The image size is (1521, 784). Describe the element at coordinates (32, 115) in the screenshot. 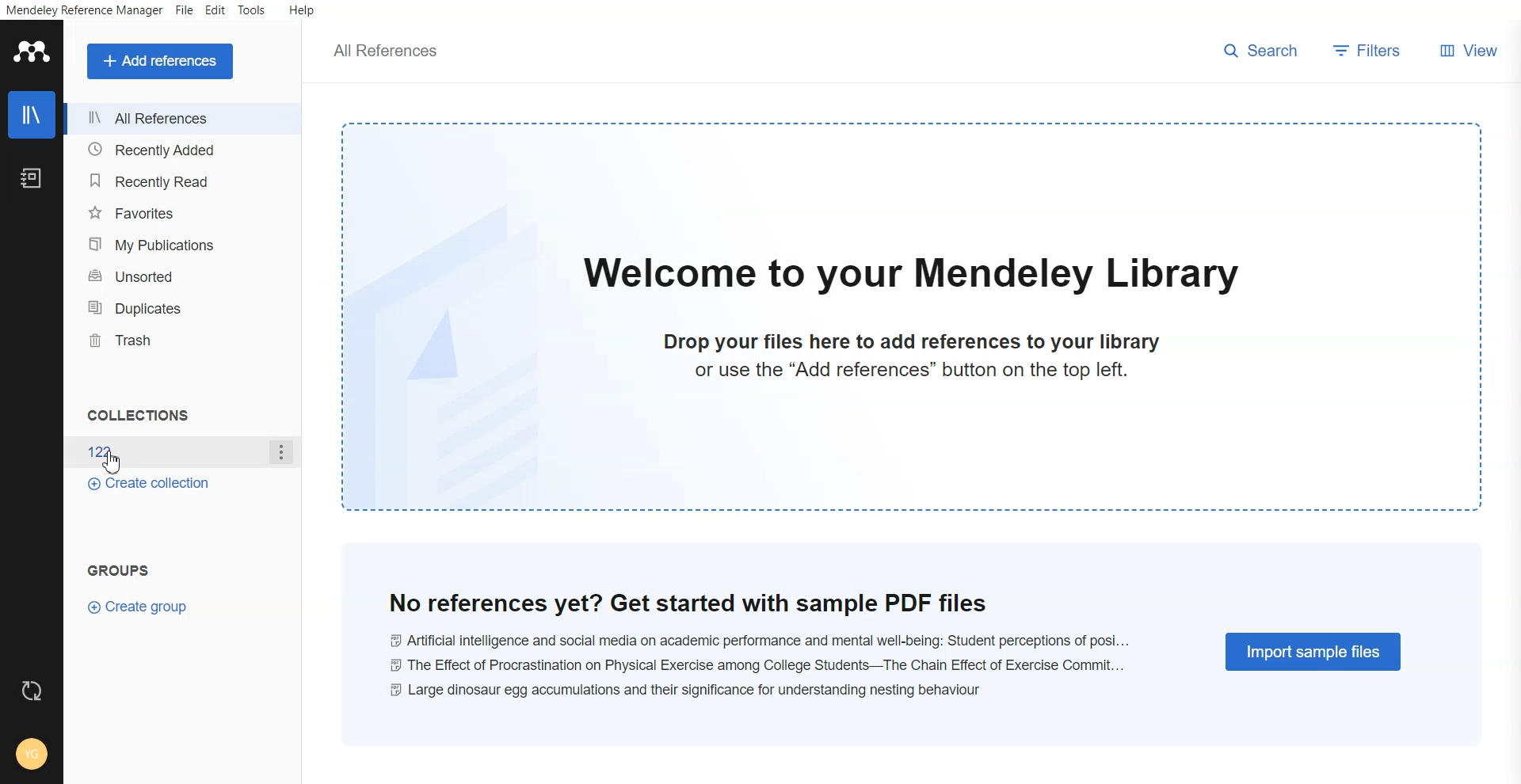

I see `Library` at that location.